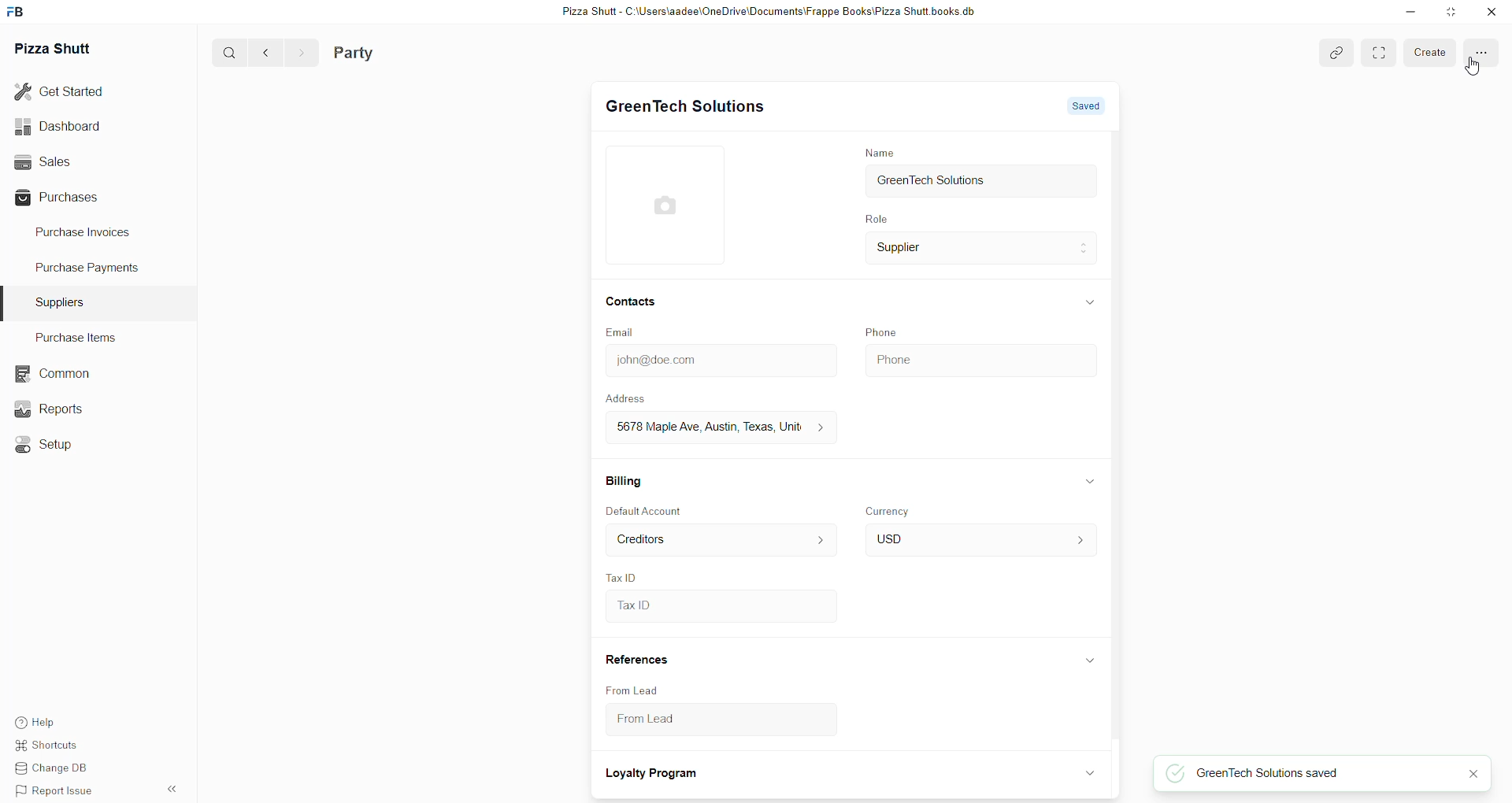 This screenshot has height=803, width=1512. What do you see at coordinates (637, 661) in the screenshot?
I see `References` at bounding box center [637, 661].